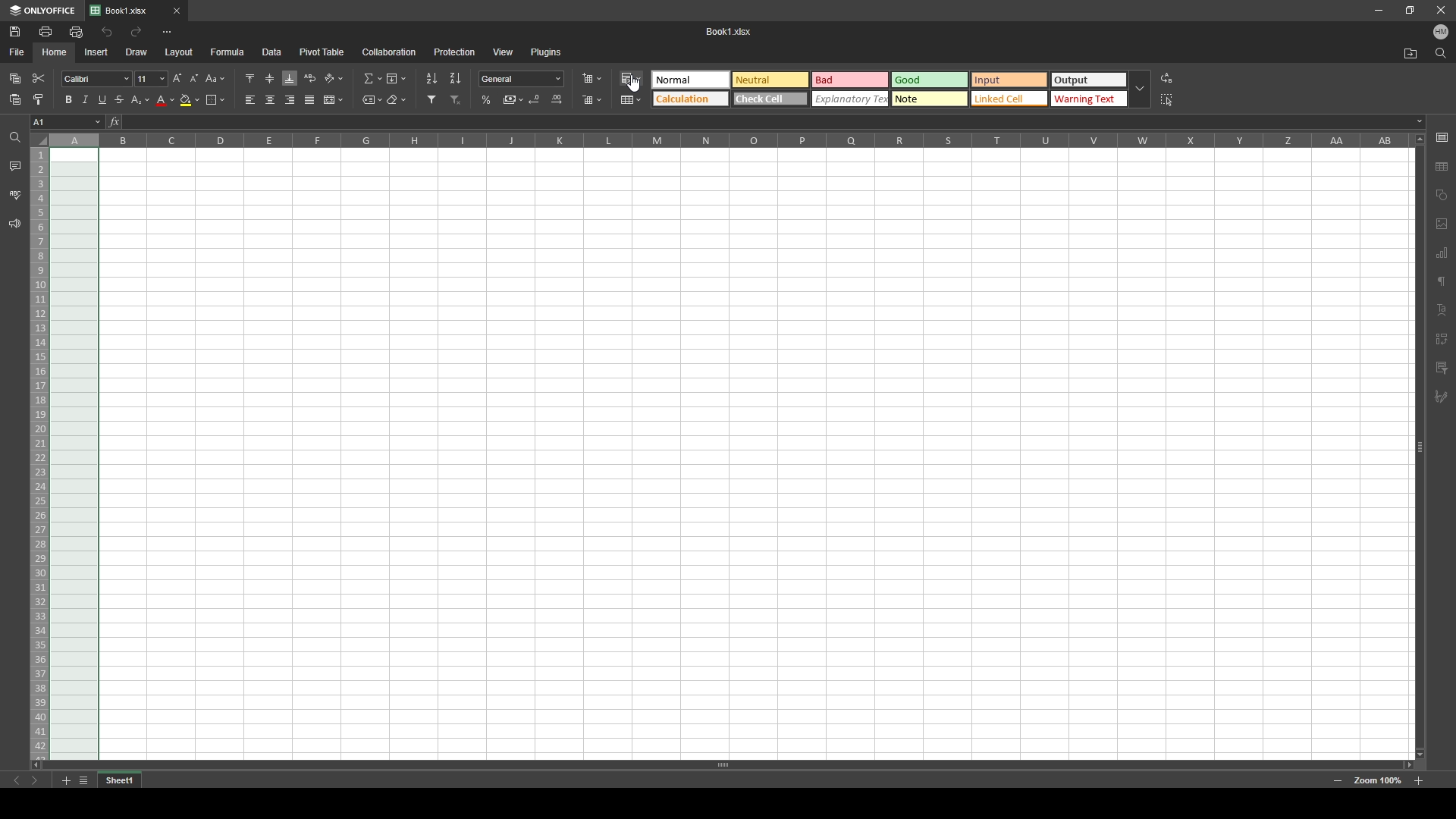 The height and width of the screenshot is (819, 1456). Describe the element at coordinates (522, 78) in the screenshot. I see `number format` at that location.